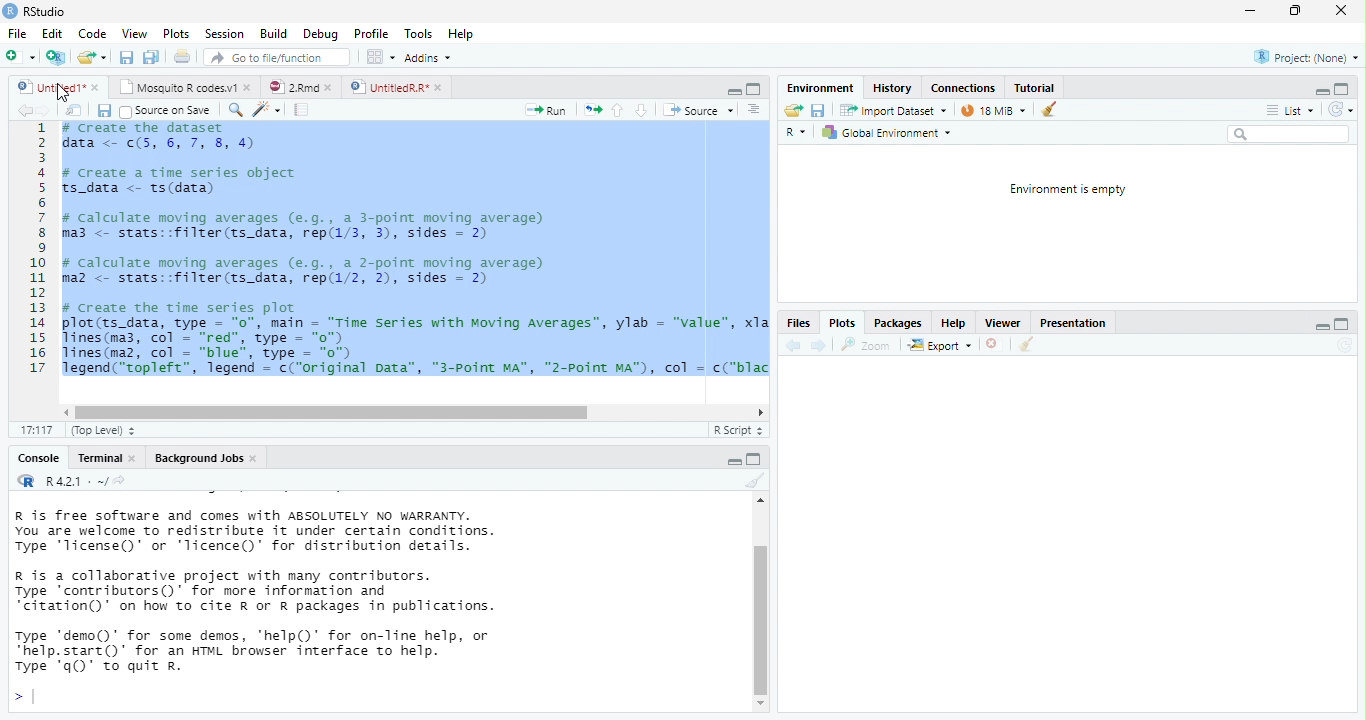  I want to click on Document outline, so click(755, 110).